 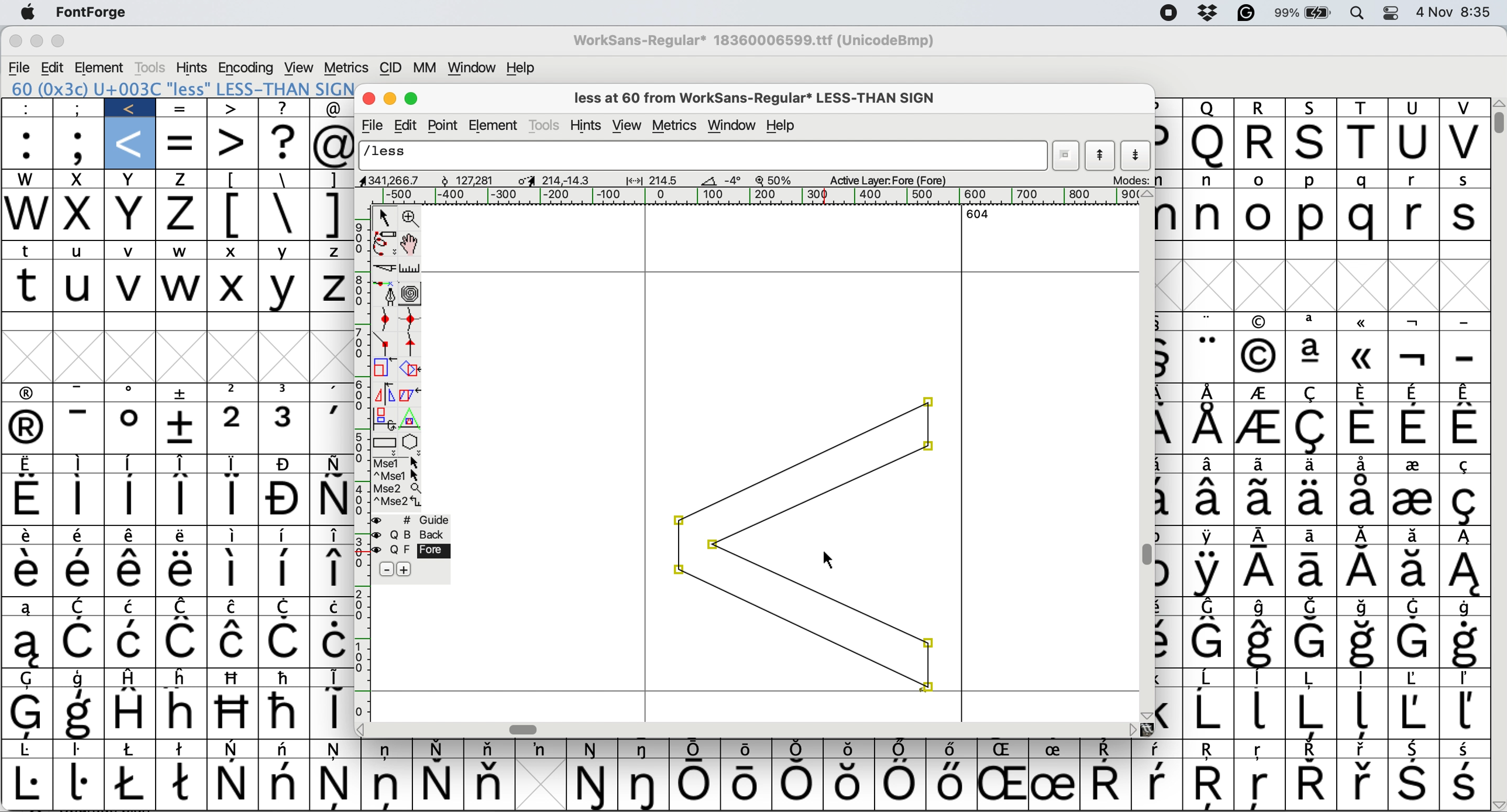 What do you see at coordinates (332, 677) in the screenshot?
I see `symbol` at bounding box center [332, 677].